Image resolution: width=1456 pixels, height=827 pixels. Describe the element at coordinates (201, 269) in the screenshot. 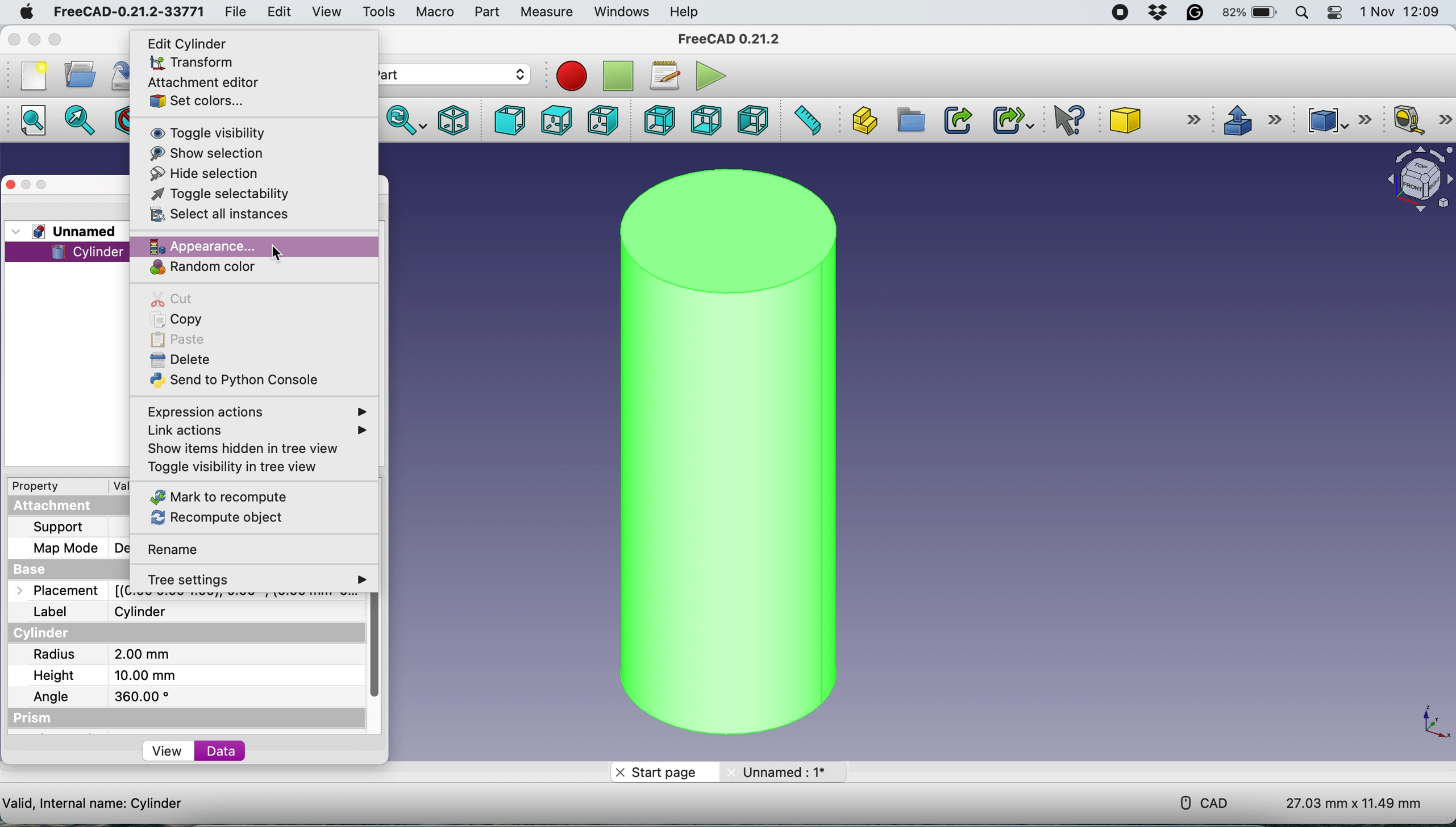

I see `random color` at that location.